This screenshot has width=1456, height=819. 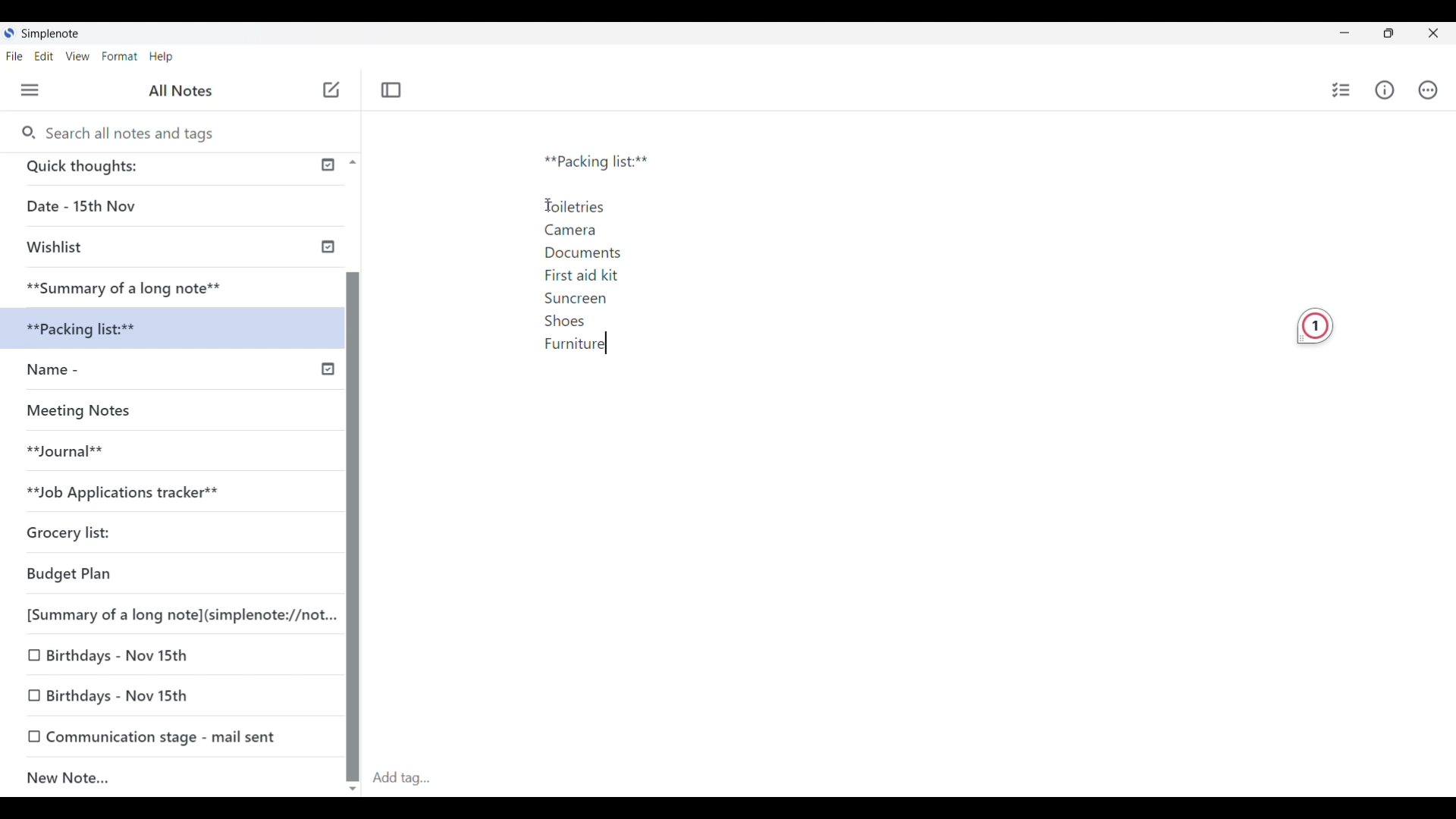 I want to click on Actions, so click(x=1428, y=89).